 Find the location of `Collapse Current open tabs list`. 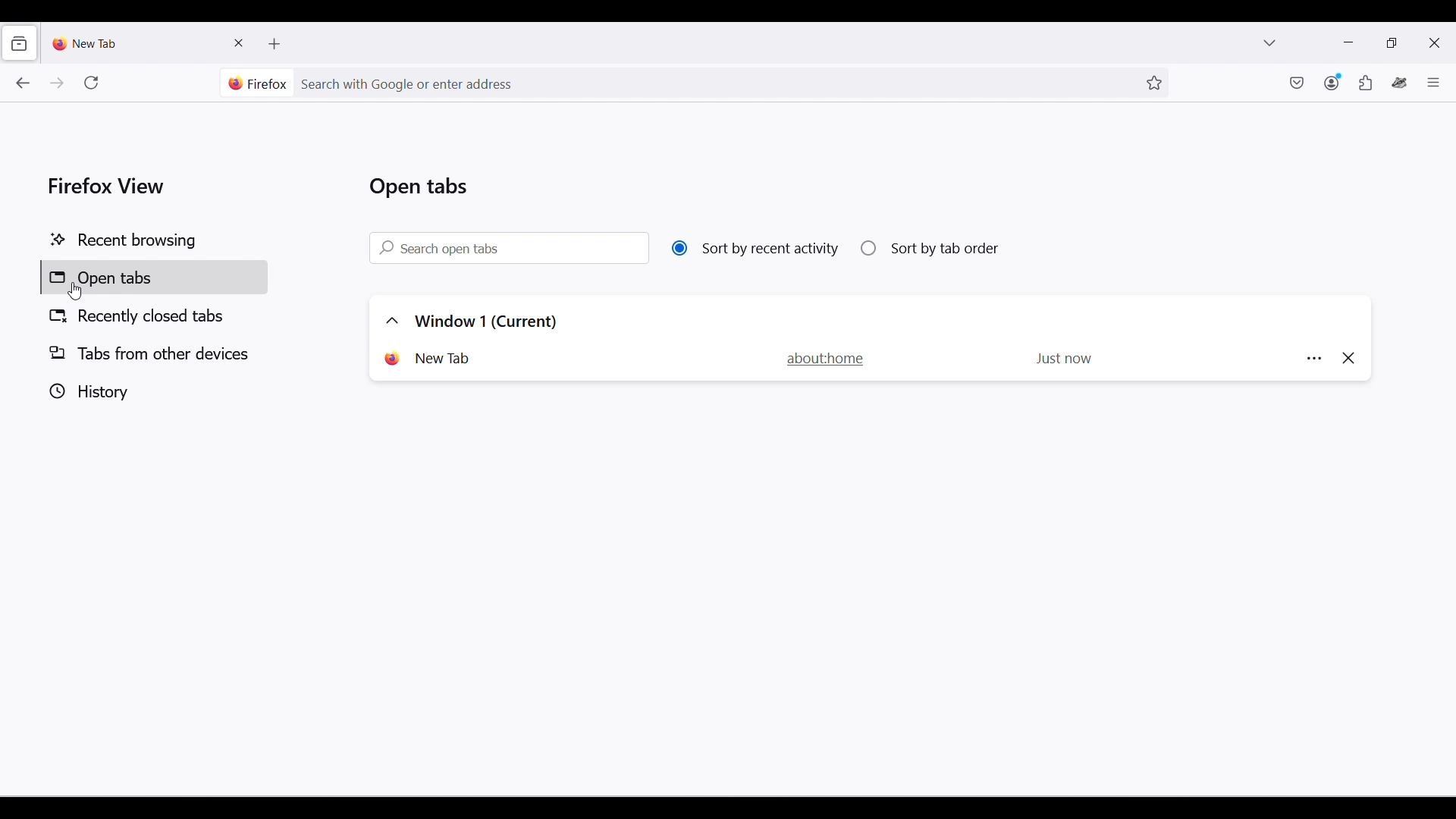

Collapse Current open tabs list is located at coordinates (392, 321).